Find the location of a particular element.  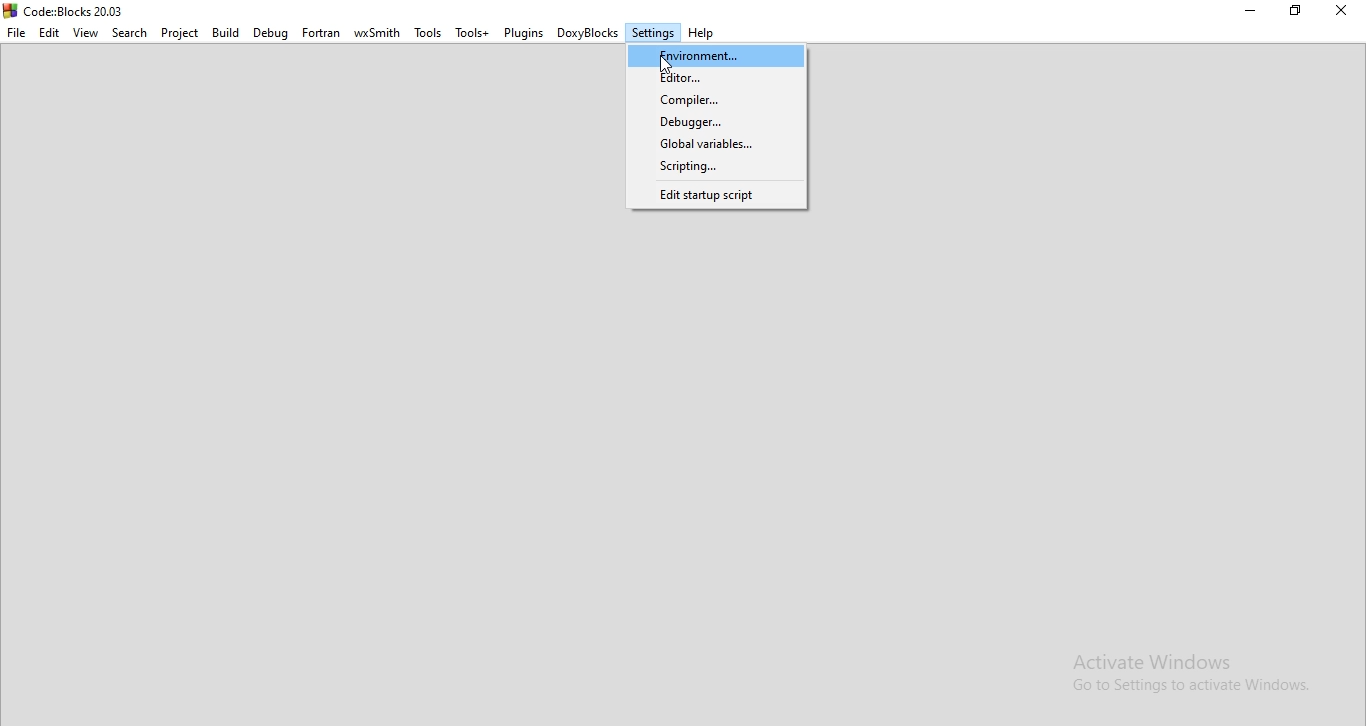

Debug is located at coordinates (269, 34).